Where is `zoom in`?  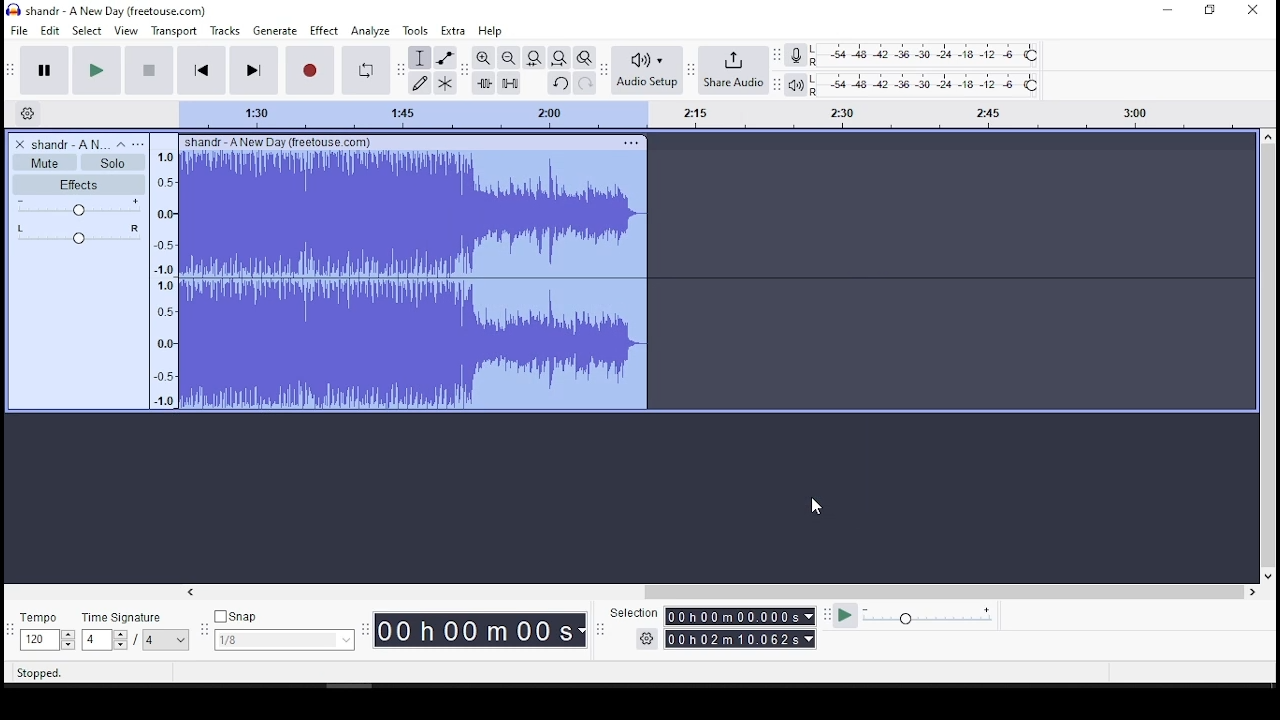
zoom in is located at coordinates (483, 58).